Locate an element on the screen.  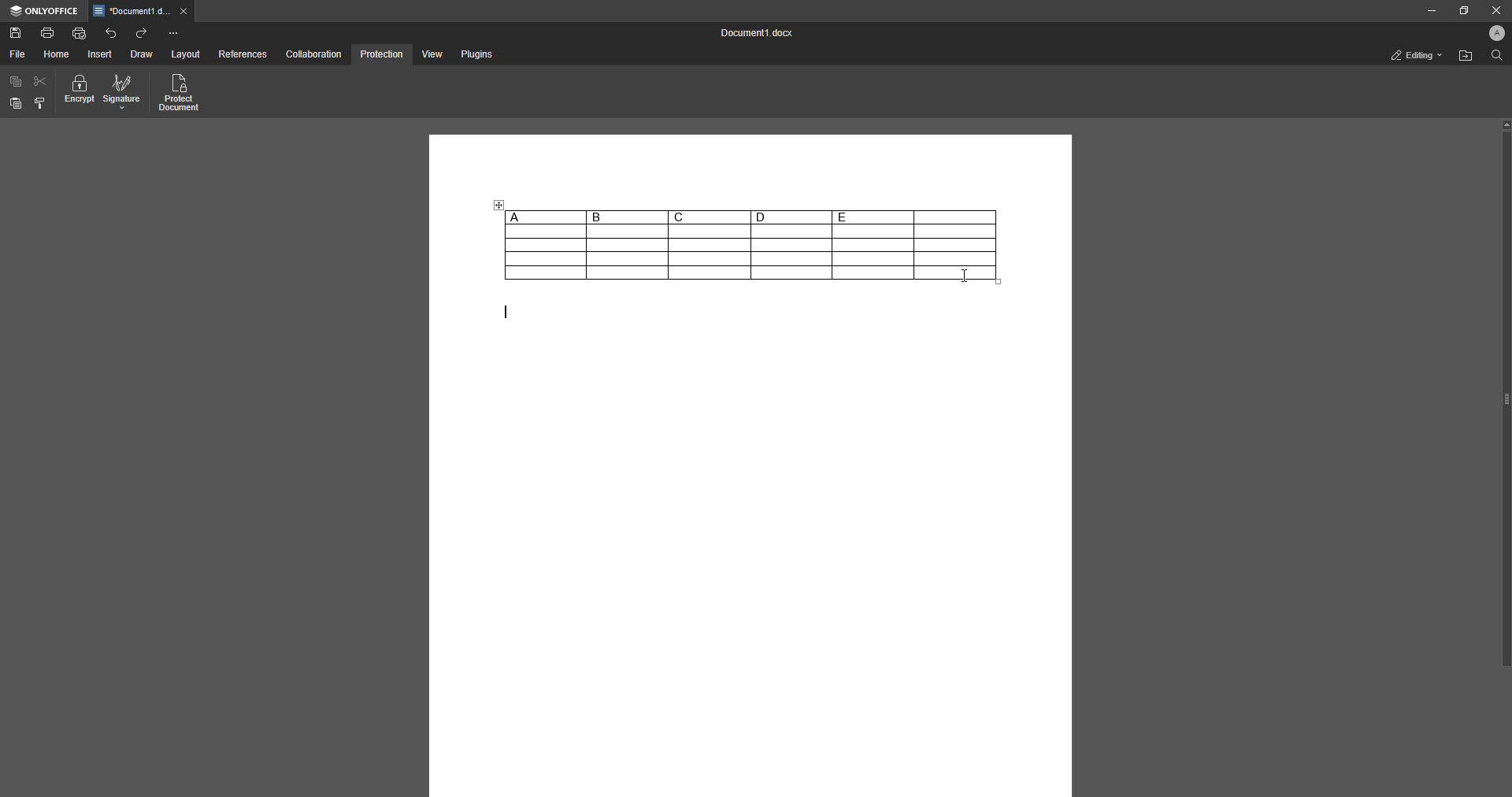
Style is located at coordinates (41, 103).